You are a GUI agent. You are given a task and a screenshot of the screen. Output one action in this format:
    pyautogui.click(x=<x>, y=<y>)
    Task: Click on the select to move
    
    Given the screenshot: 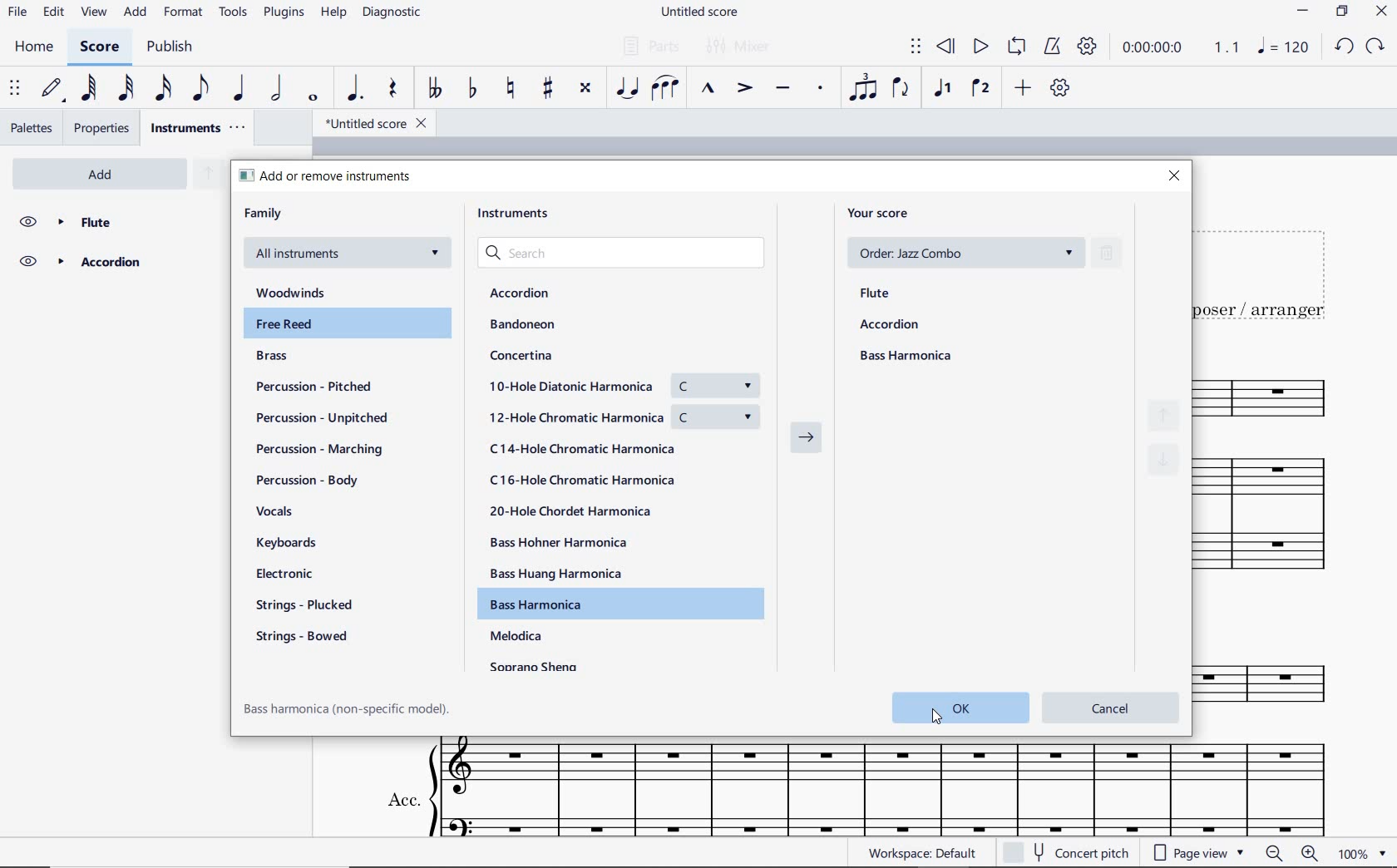 What is the action you would take?
    pyautogui.click(x=15, y=89)
    